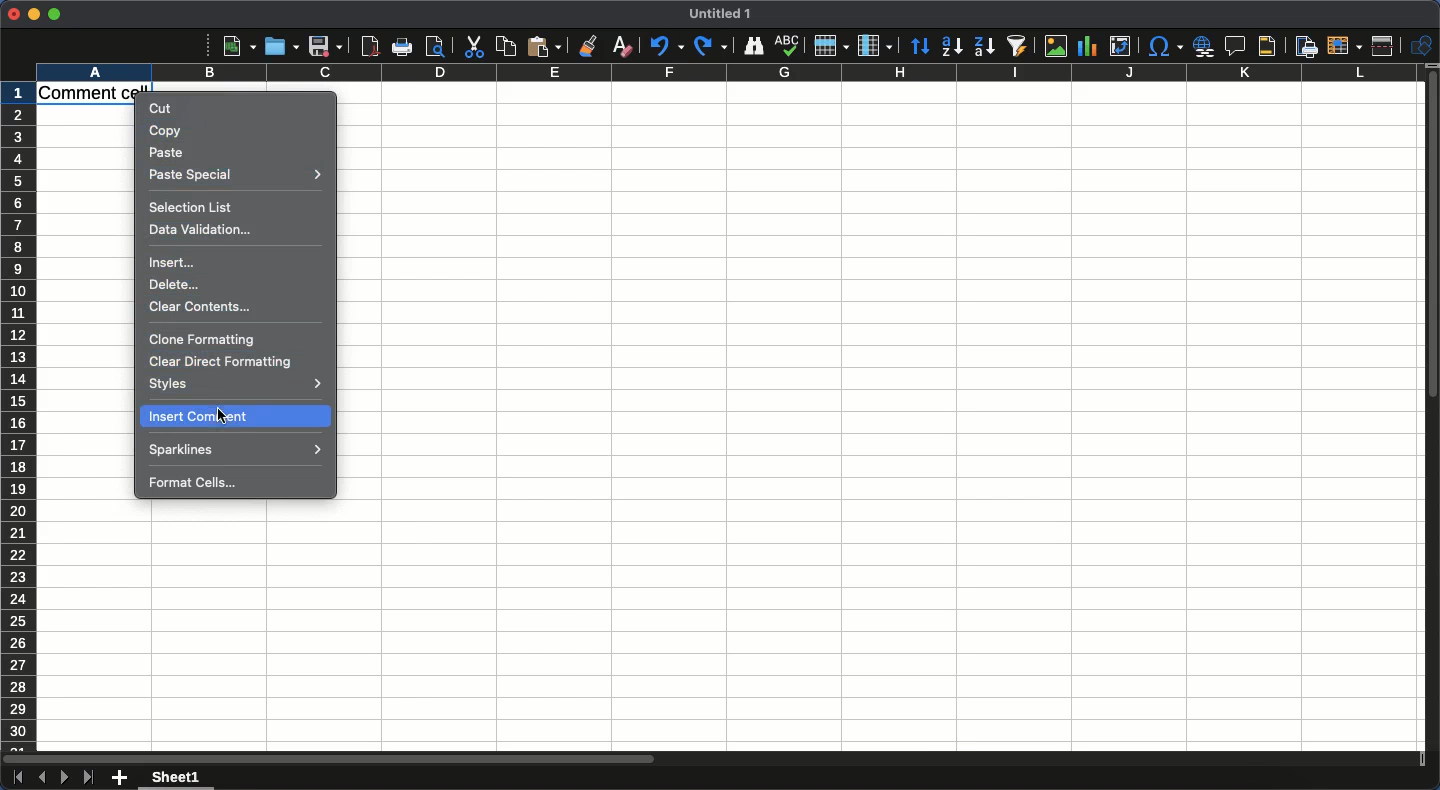  What do you see at coordinates (45, 779) in the screenshot?
I see `Previous sheet` at bounding box center [45, 779].